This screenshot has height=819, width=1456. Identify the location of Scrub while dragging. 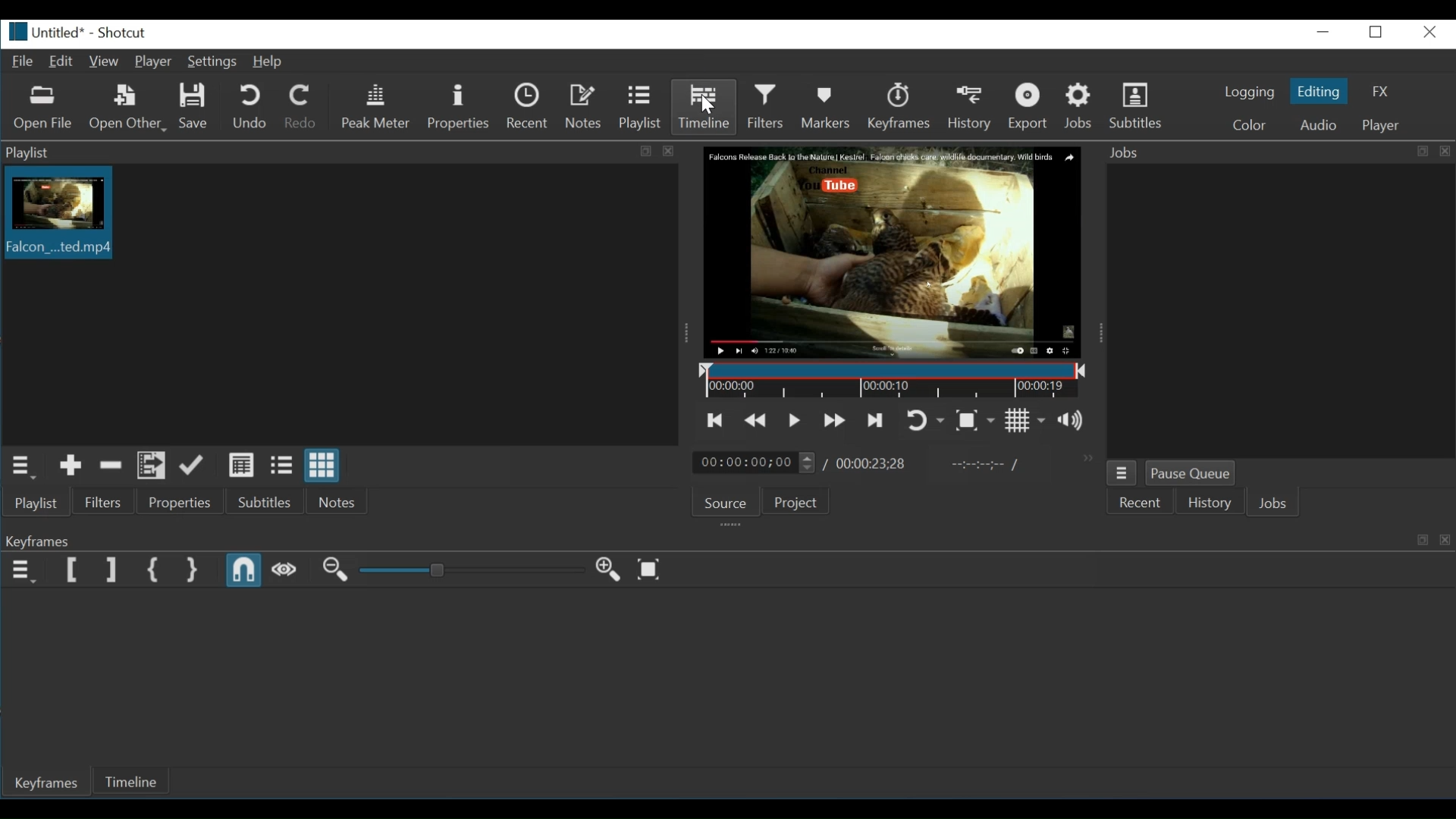
(284, 570).